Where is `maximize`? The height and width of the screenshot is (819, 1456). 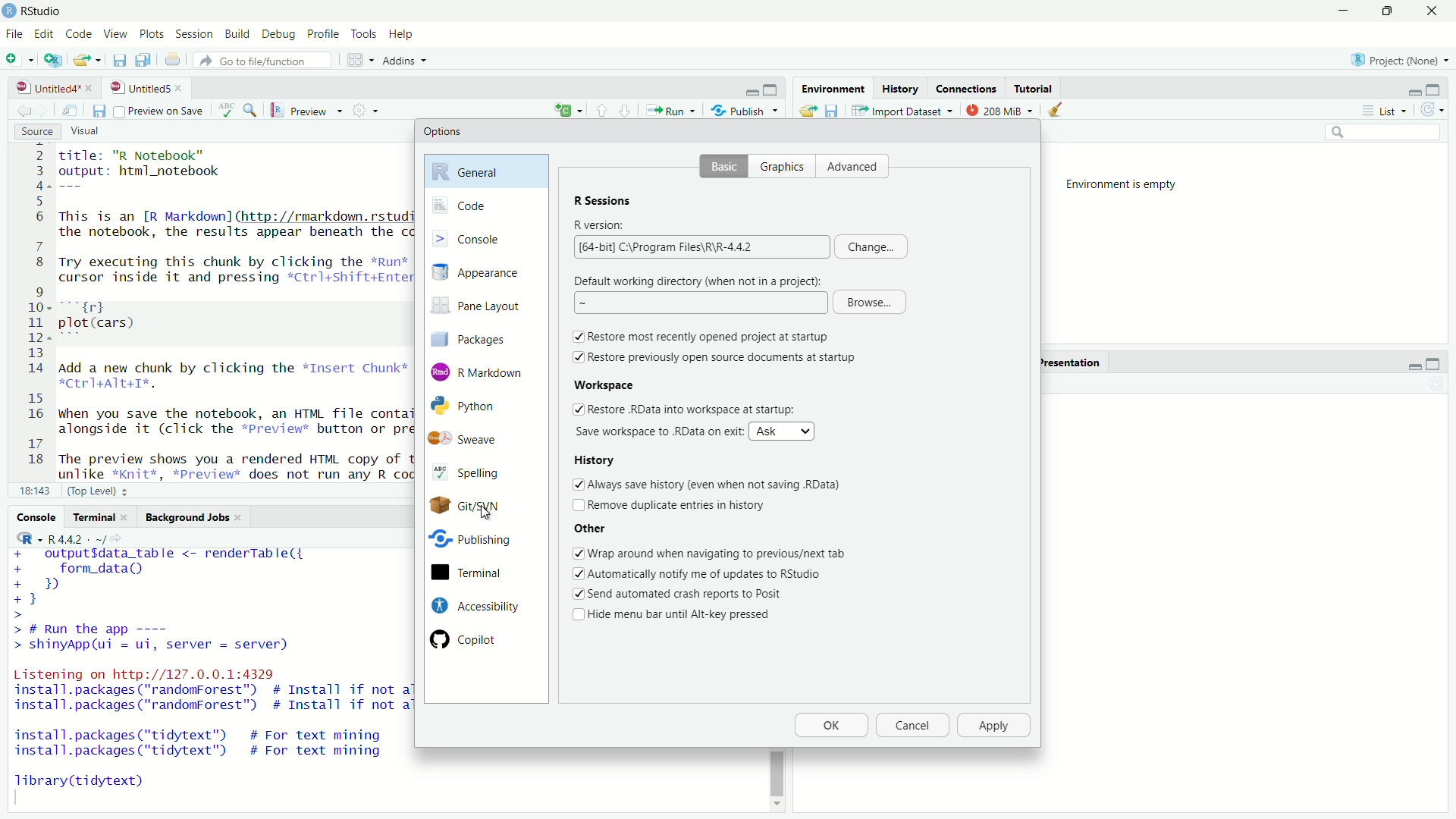 maximize is located at coordinates (1433, 365).